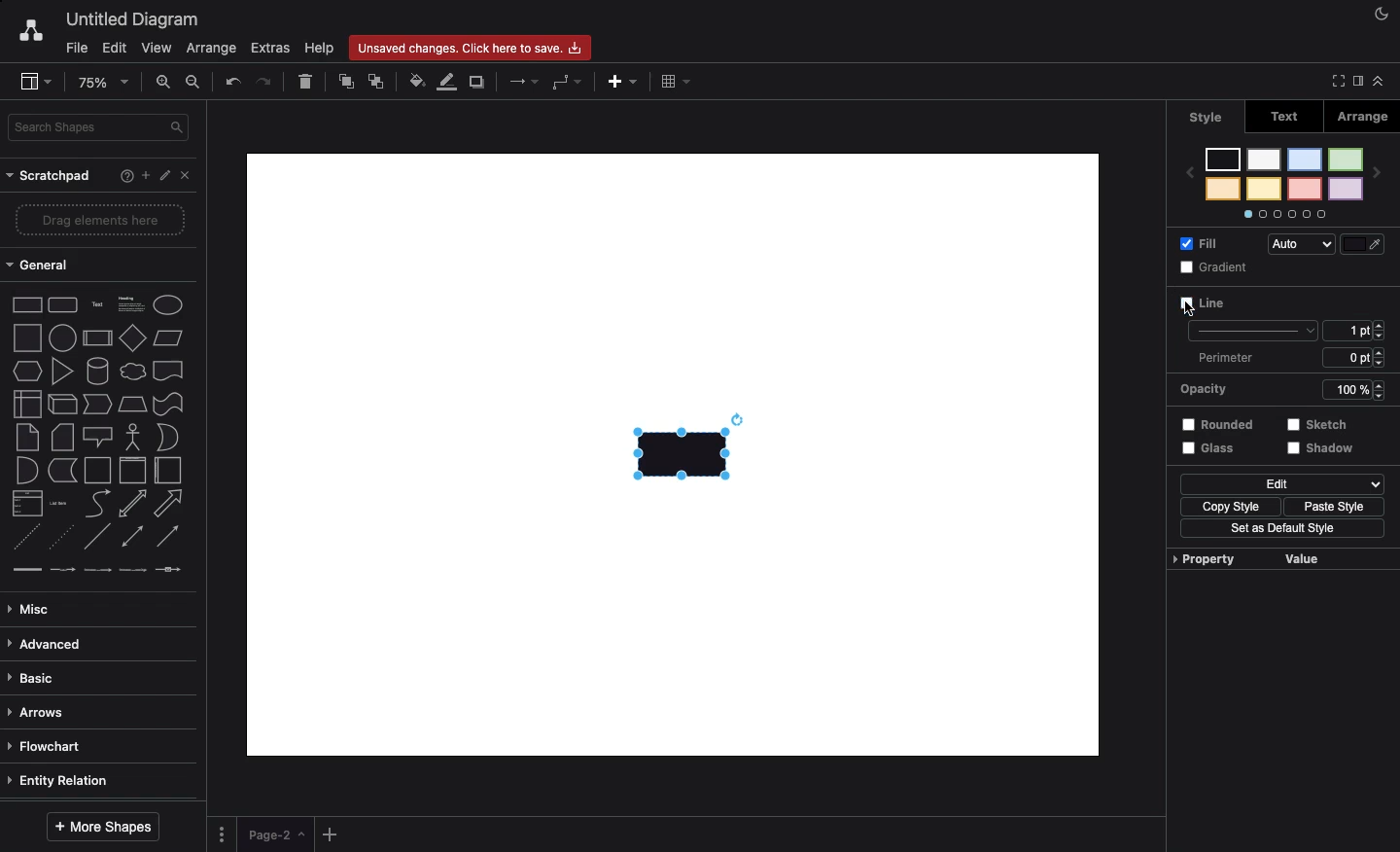  Describe the element at coordinates (1346, 160) in the screenshot. I see `color 1` at that location.